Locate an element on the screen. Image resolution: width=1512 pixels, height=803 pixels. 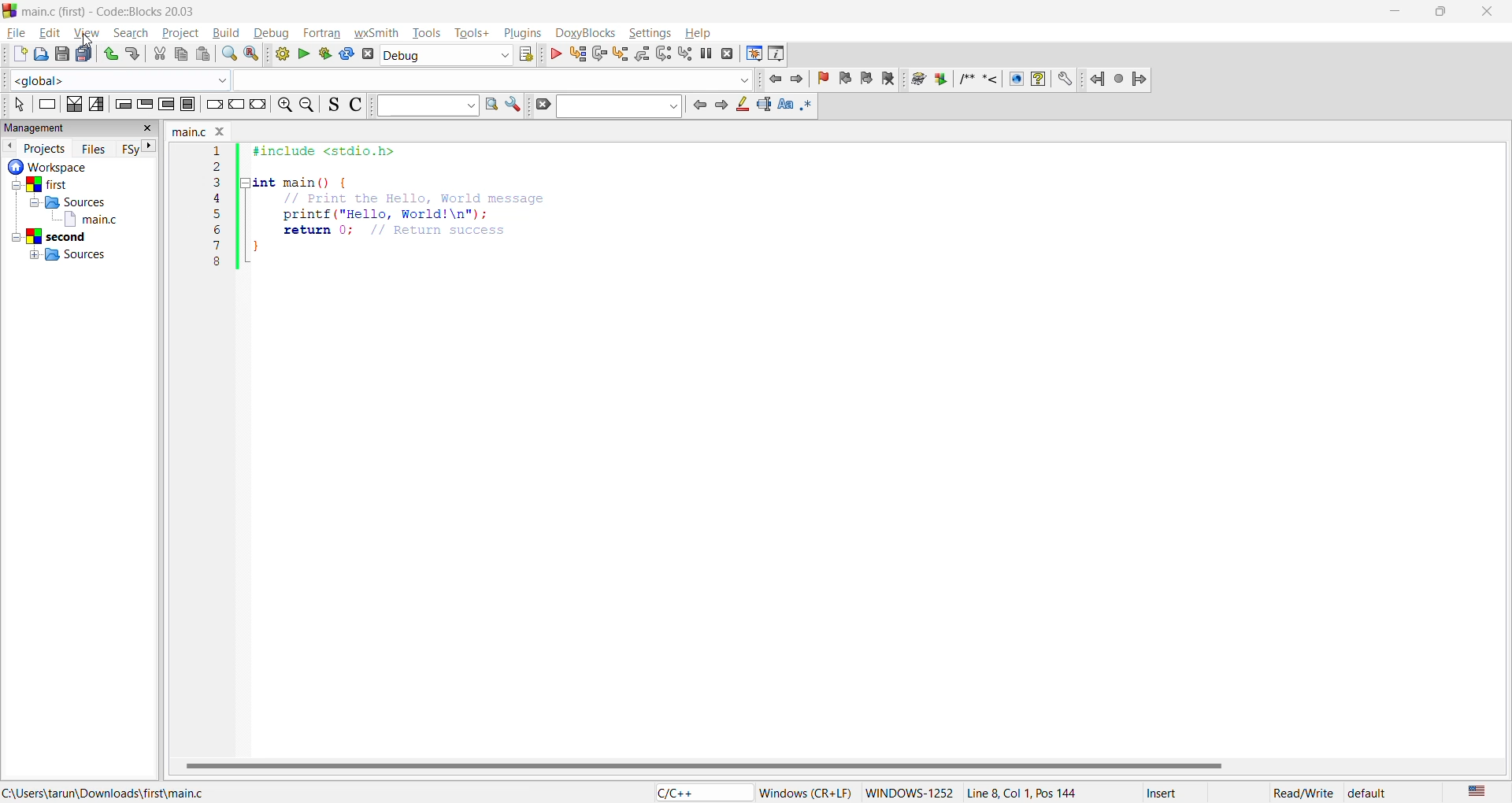
main.c is located at coordinates (94, 220).